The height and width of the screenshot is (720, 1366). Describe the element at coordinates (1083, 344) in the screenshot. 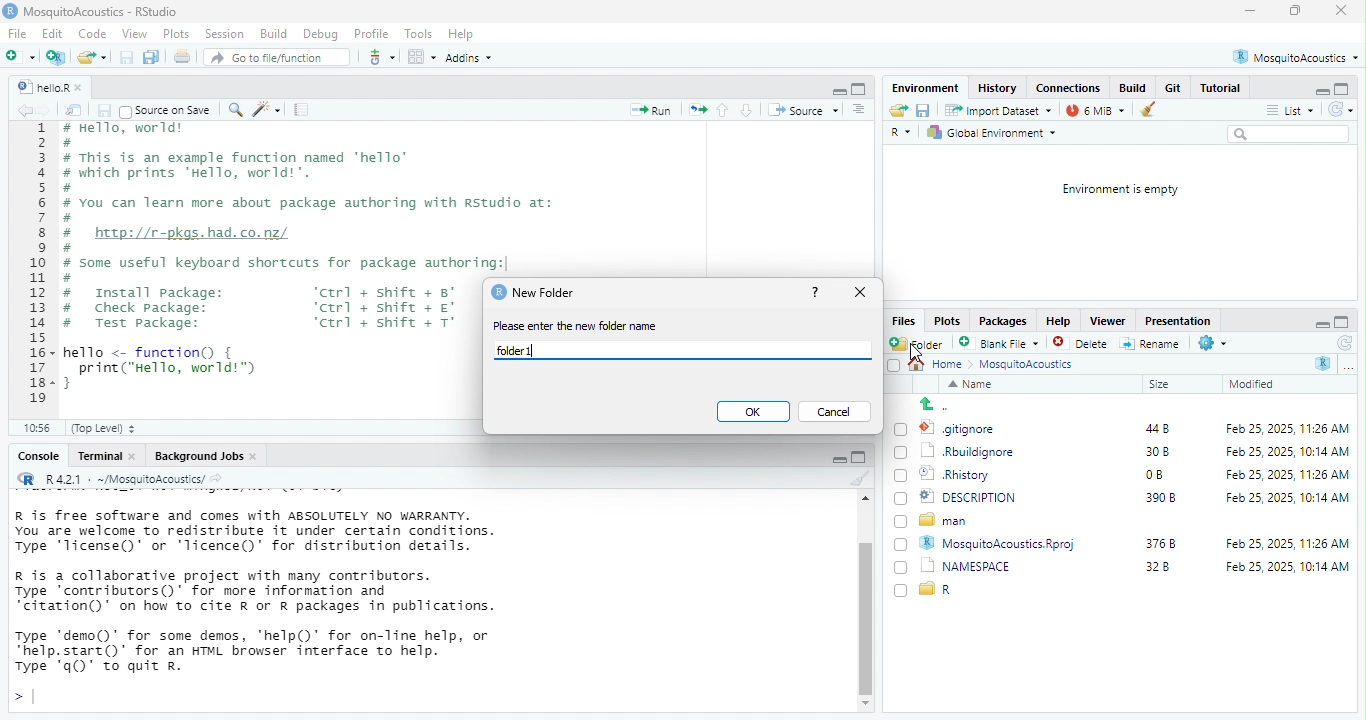

I see `delete` at that location.